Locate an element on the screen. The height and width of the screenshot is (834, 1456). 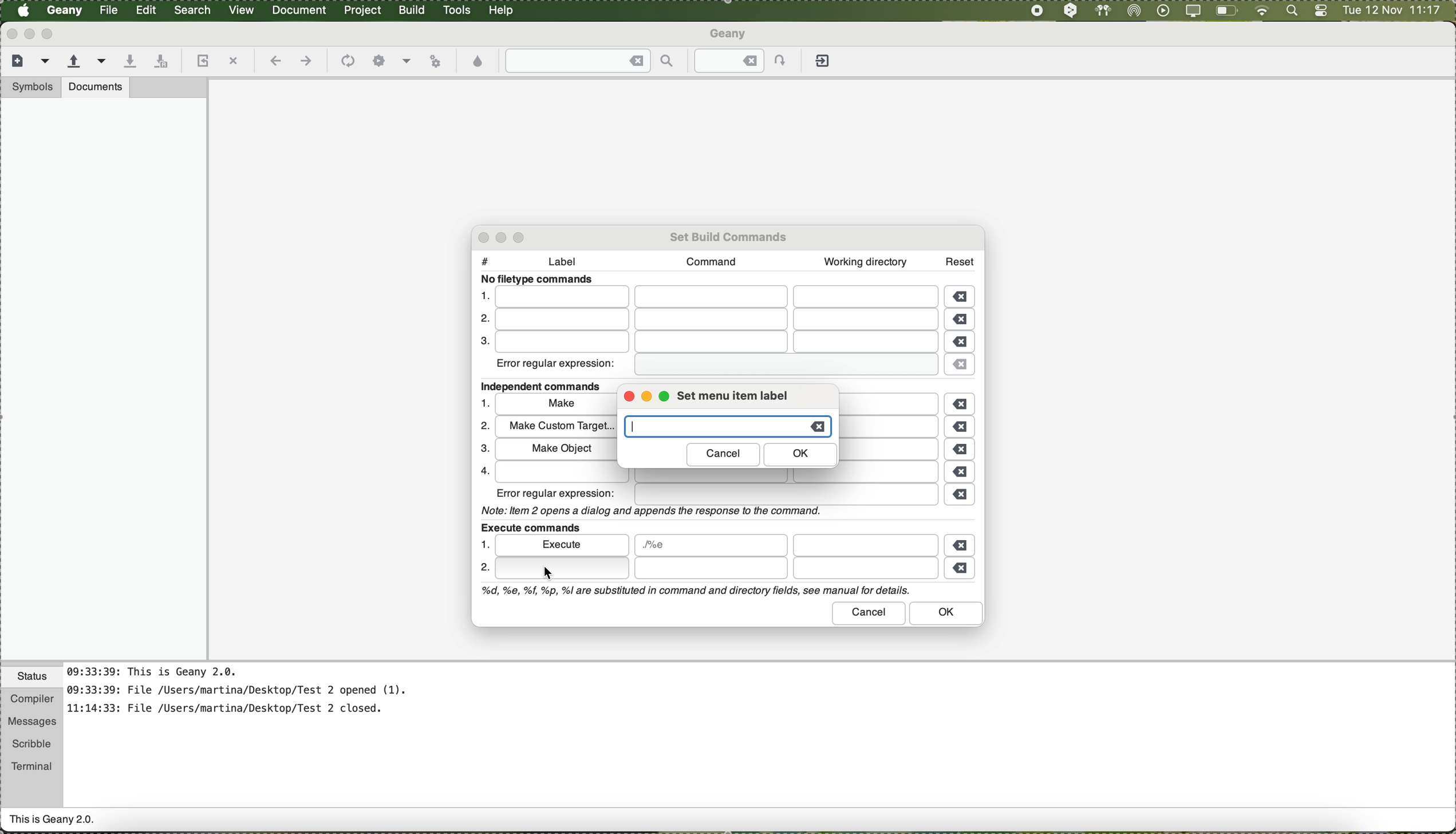
date and hour is located at coordinates (1392, 11).